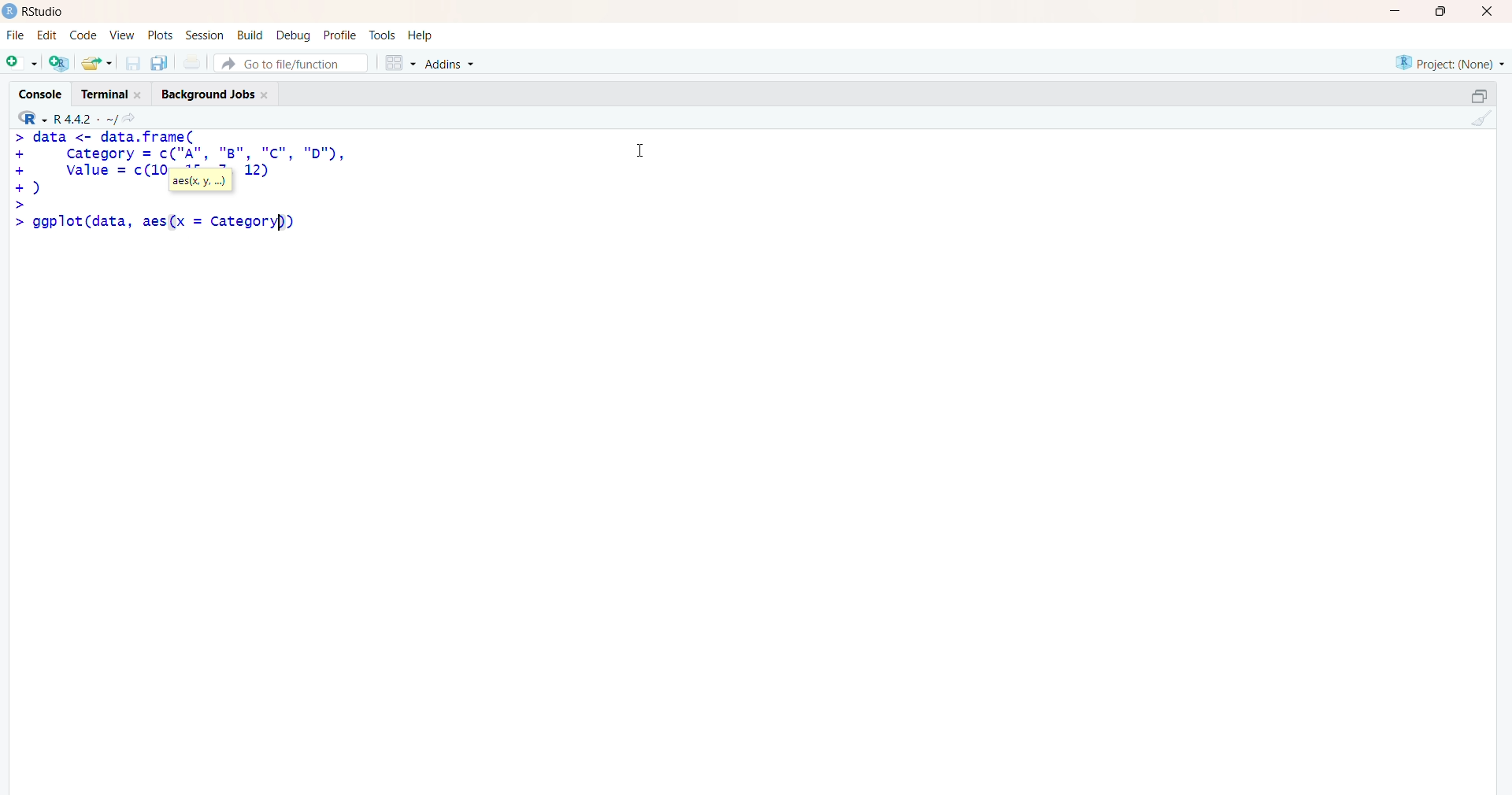 The width and height of the screenshot is (1512, 795). What do you see at coordinates (16, 35) in the screenshot?
I see `File` at bounding box center [16, 35].